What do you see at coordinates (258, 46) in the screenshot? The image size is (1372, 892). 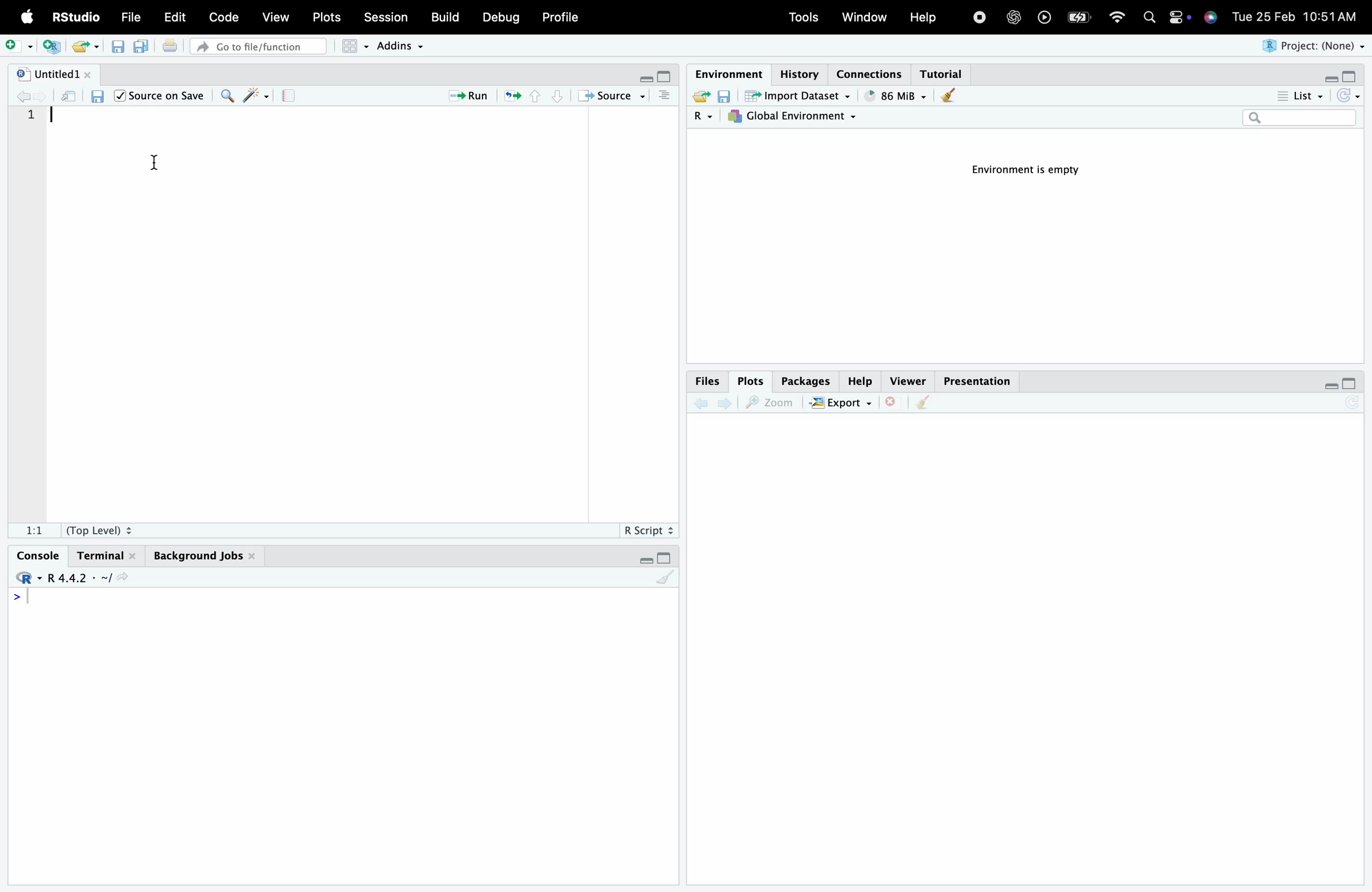 I see `» Go to file/function` at bounding box center [258, 46].